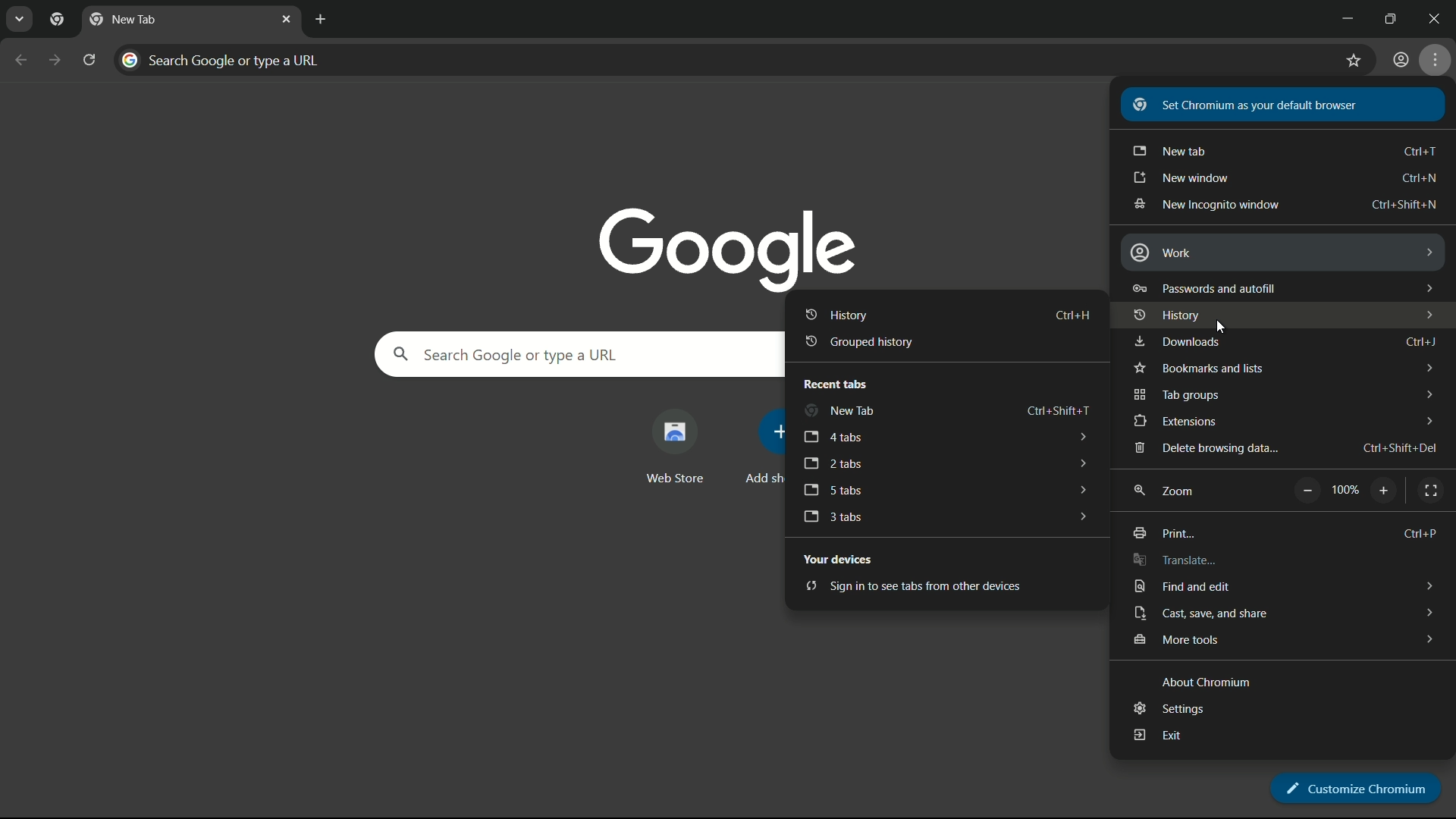 The width and height of the screenshot is (1456, 819). Describe the element at coordinates (832, 516) in the screenshot. I see `3 tabs` at that location.